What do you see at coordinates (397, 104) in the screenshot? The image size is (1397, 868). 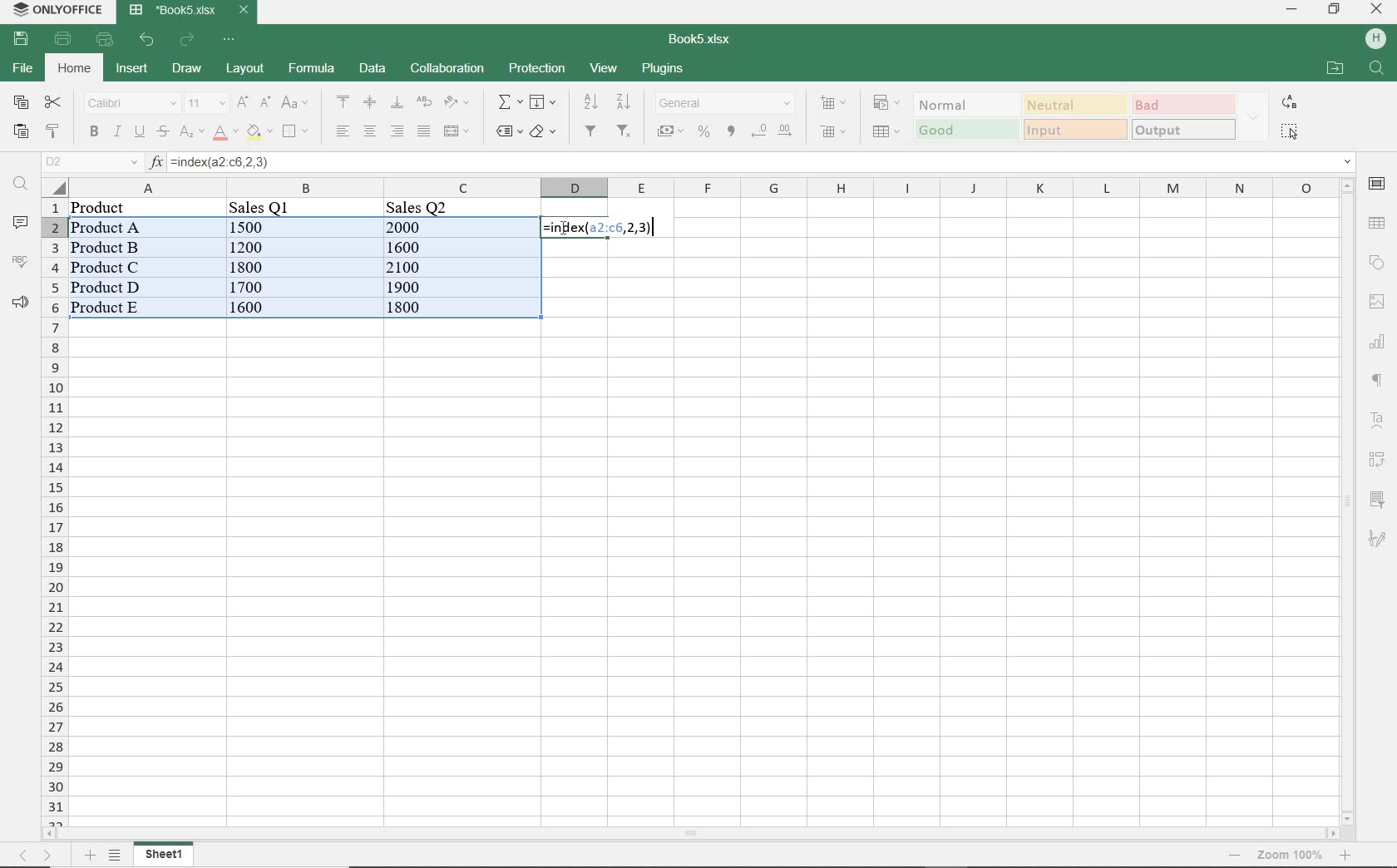 I see `align bottom` at bounding box center [397, 104].